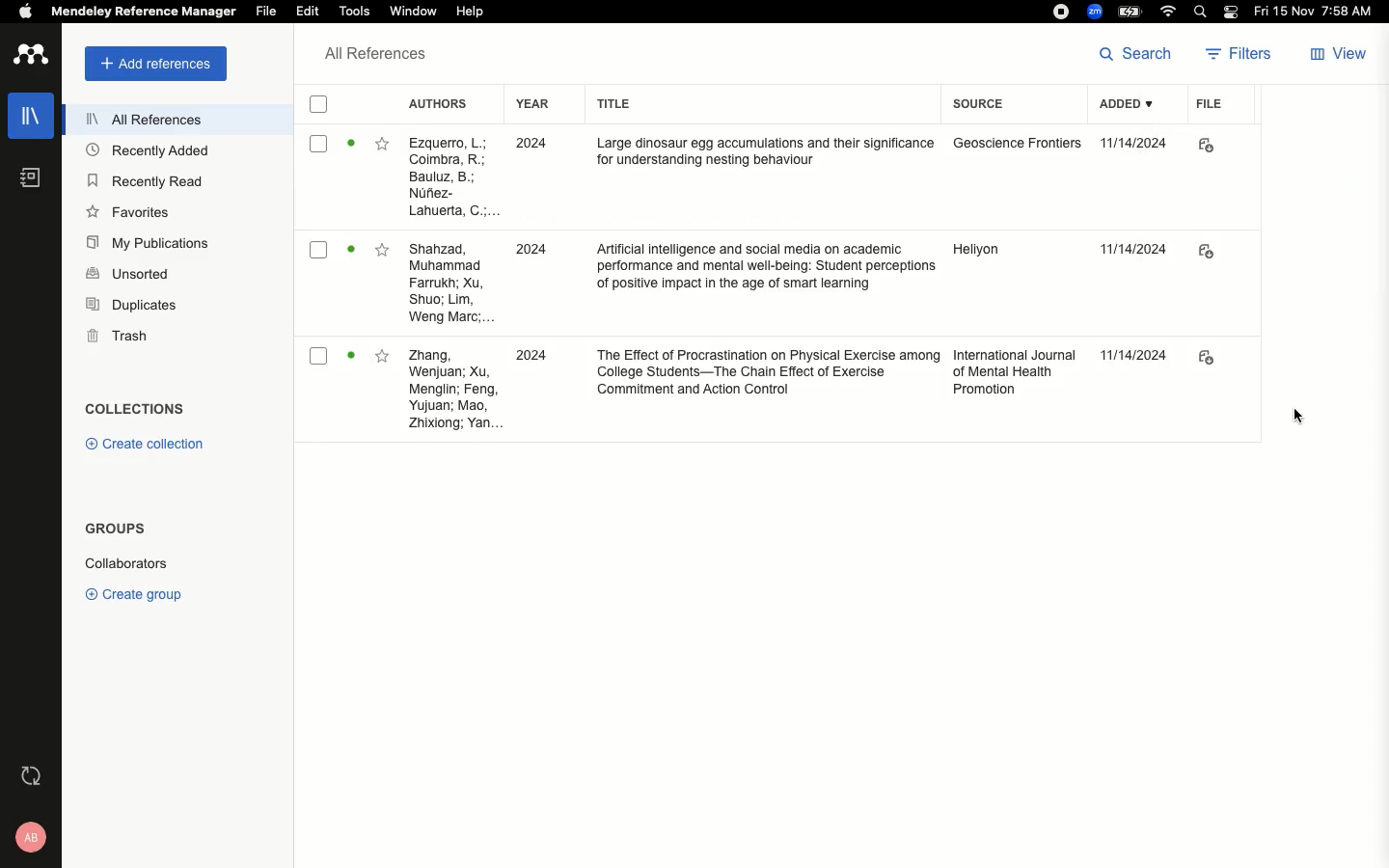 This screenshot has width=1389, height=868. I want to click on Create collection, so click(140, 444).